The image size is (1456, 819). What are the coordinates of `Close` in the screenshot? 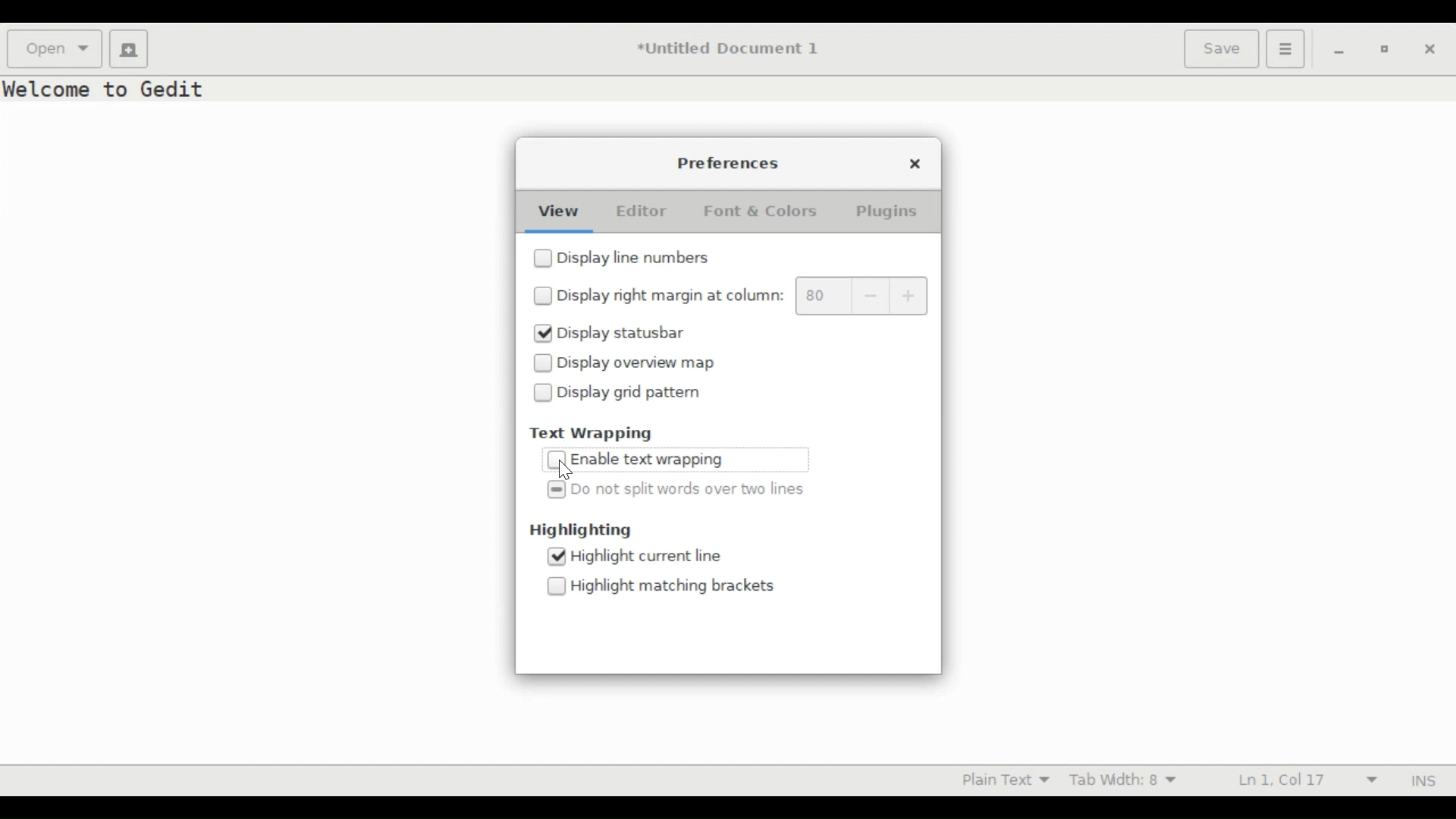 It's located at (1431, 51).